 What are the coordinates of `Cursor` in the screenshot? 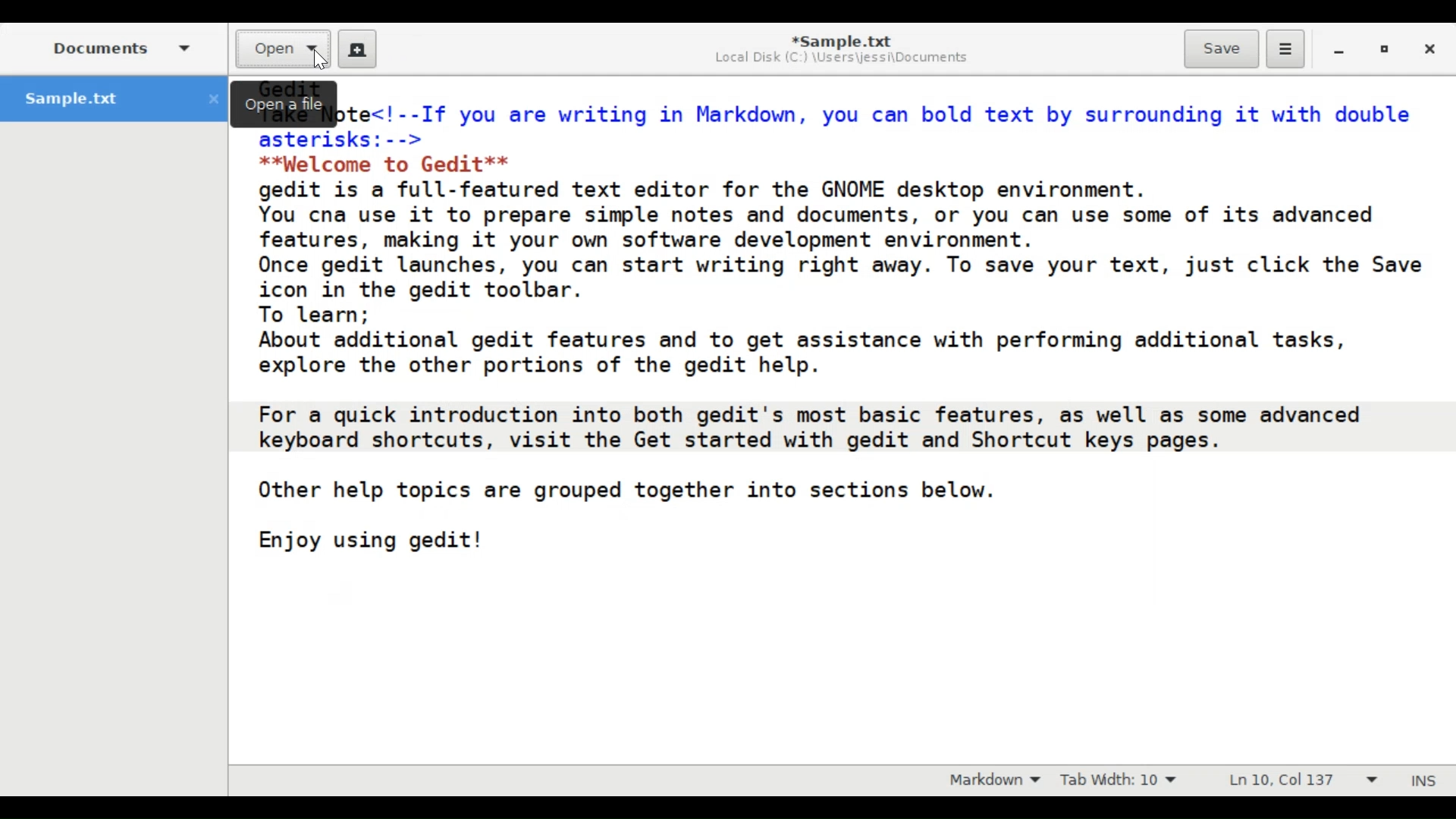 It's located at (317, 62).